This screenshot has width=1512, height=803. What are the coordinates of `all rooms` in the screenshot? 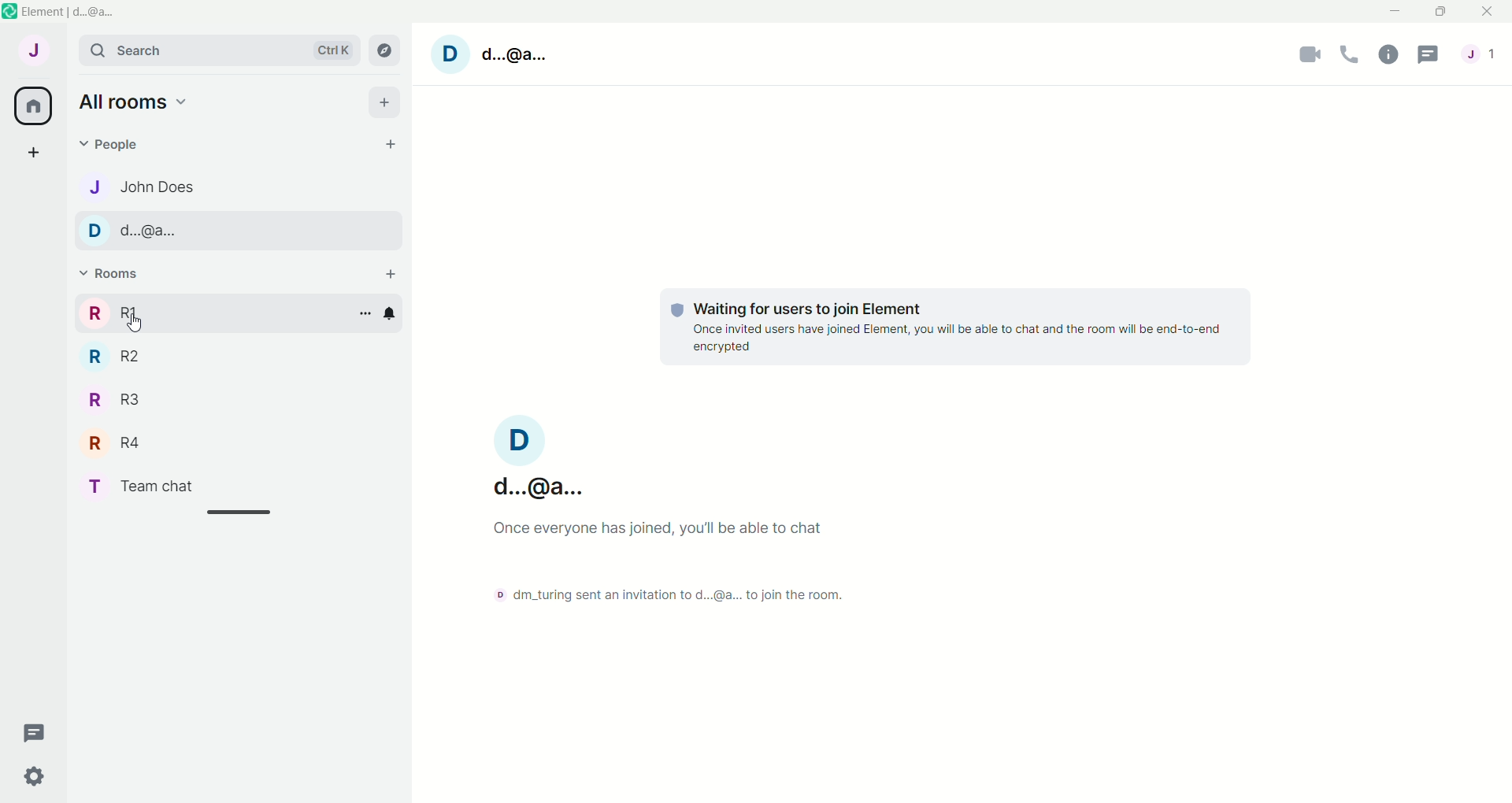 It's located at (32, 105).